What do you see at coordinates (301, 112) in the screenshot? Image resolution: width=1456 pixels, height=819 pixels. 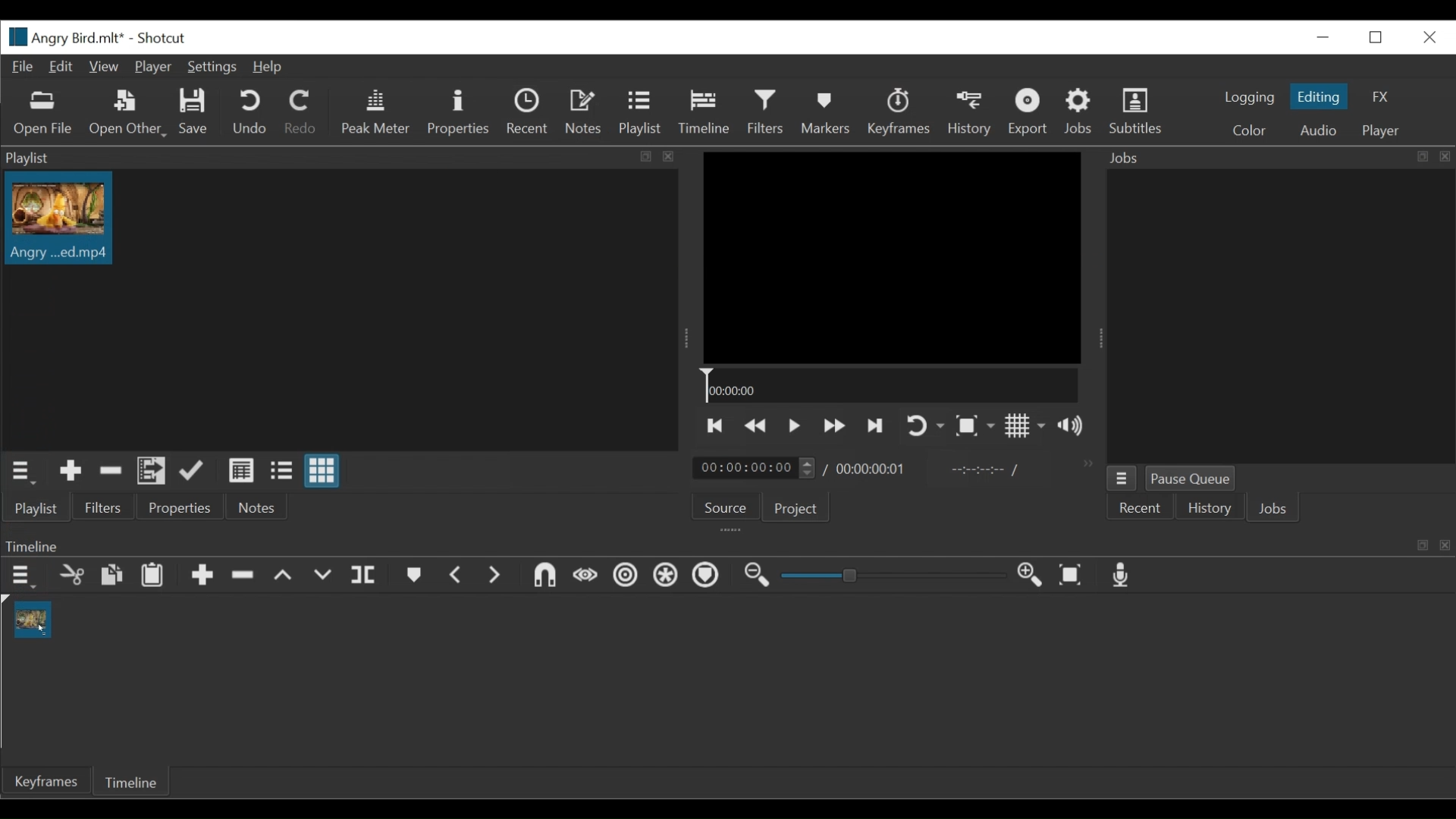 I see `Redo` at bounding box center [301, 112].